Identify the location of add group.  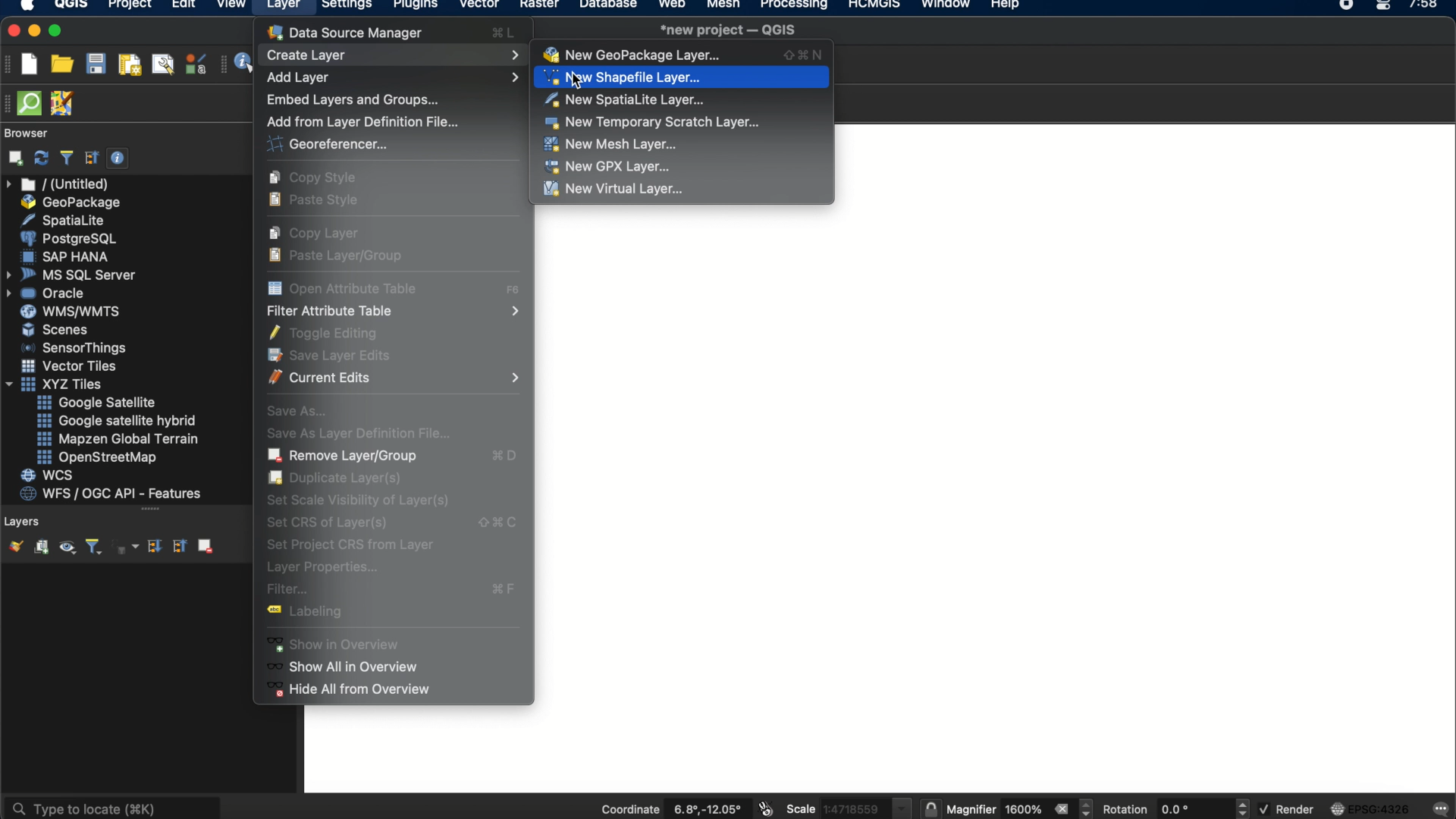
(41, 548).